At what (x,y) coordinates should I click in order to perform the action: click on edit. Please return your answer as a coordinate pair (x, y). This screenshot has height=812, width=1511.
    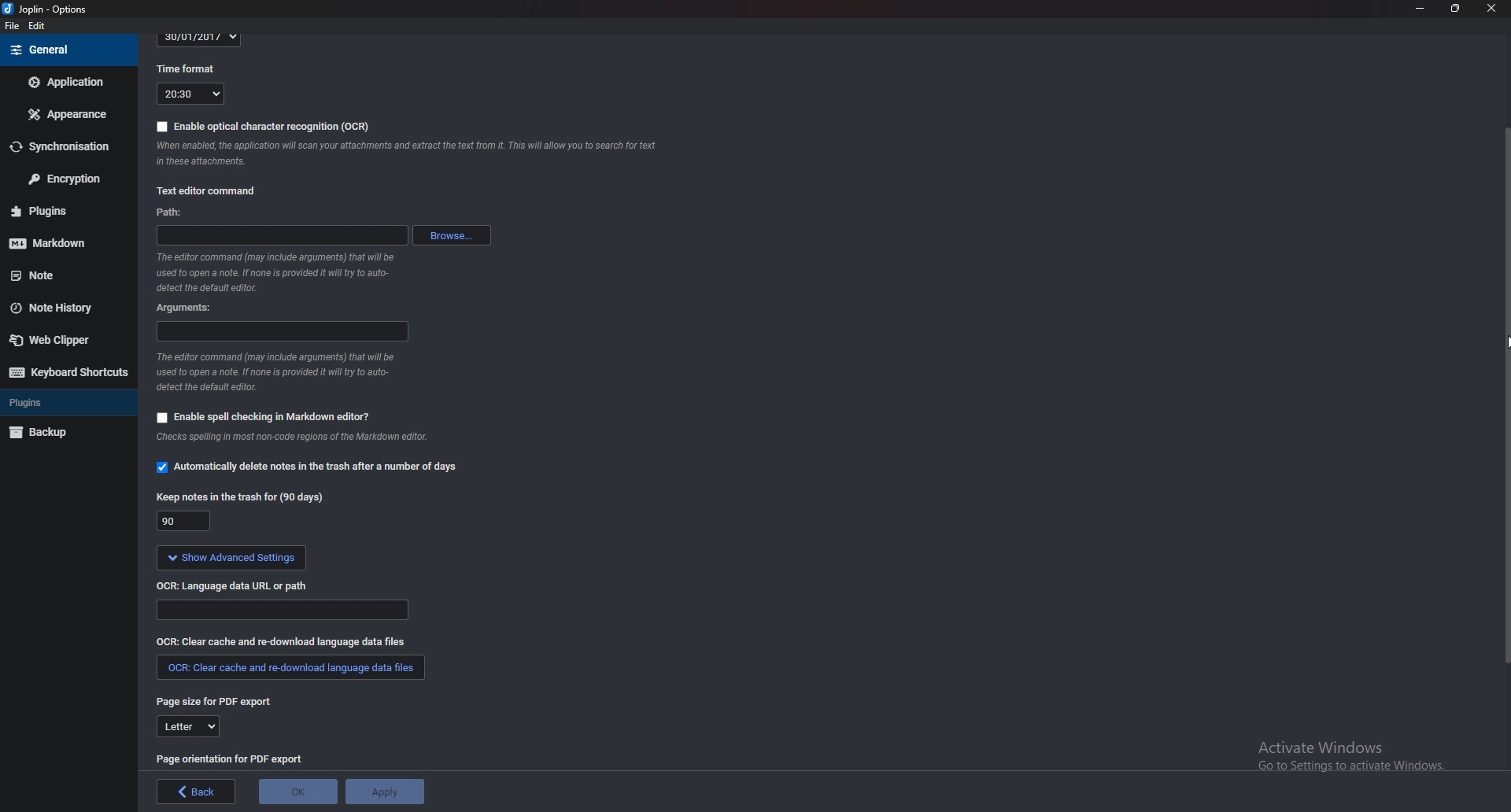
    Looking at the image, I should click on (37, 27).